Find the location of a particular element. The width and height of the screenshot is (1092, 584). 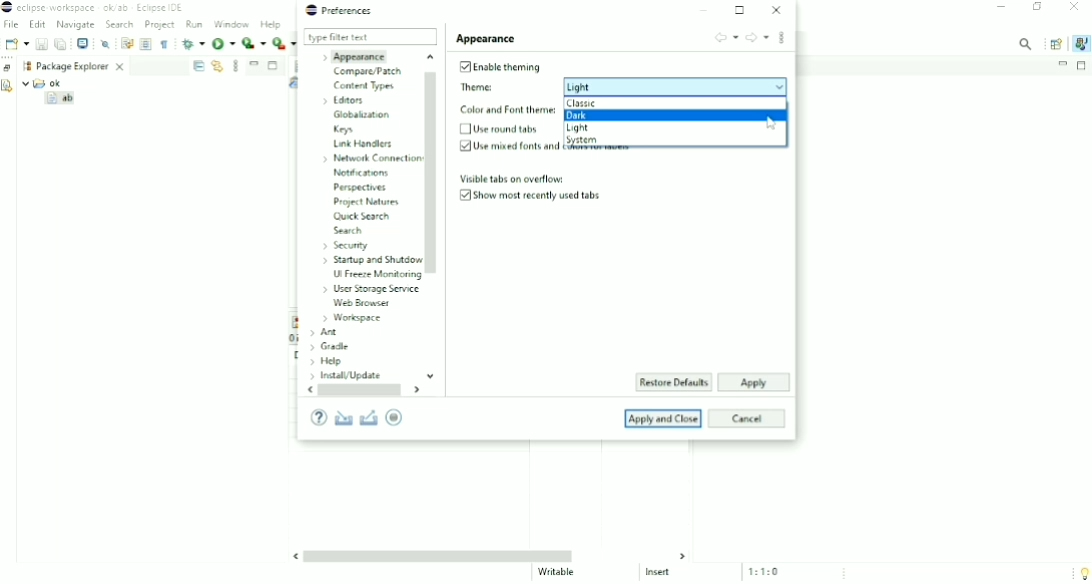

Globalization is located at coordinates (362, 116).